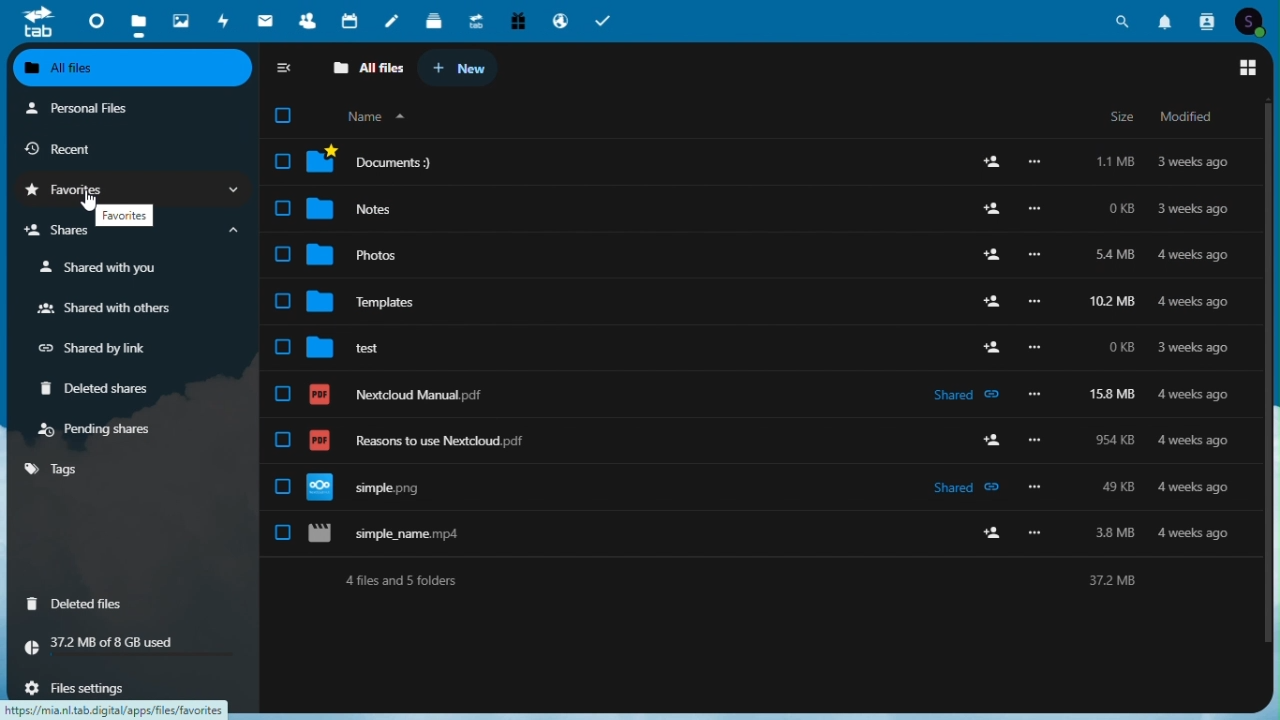 The width and height of the screenshot is (1280, 720). What do you see at coordinates (181, 19) in the screenshot?
I see `Photos` at bounding box center [181, 19].